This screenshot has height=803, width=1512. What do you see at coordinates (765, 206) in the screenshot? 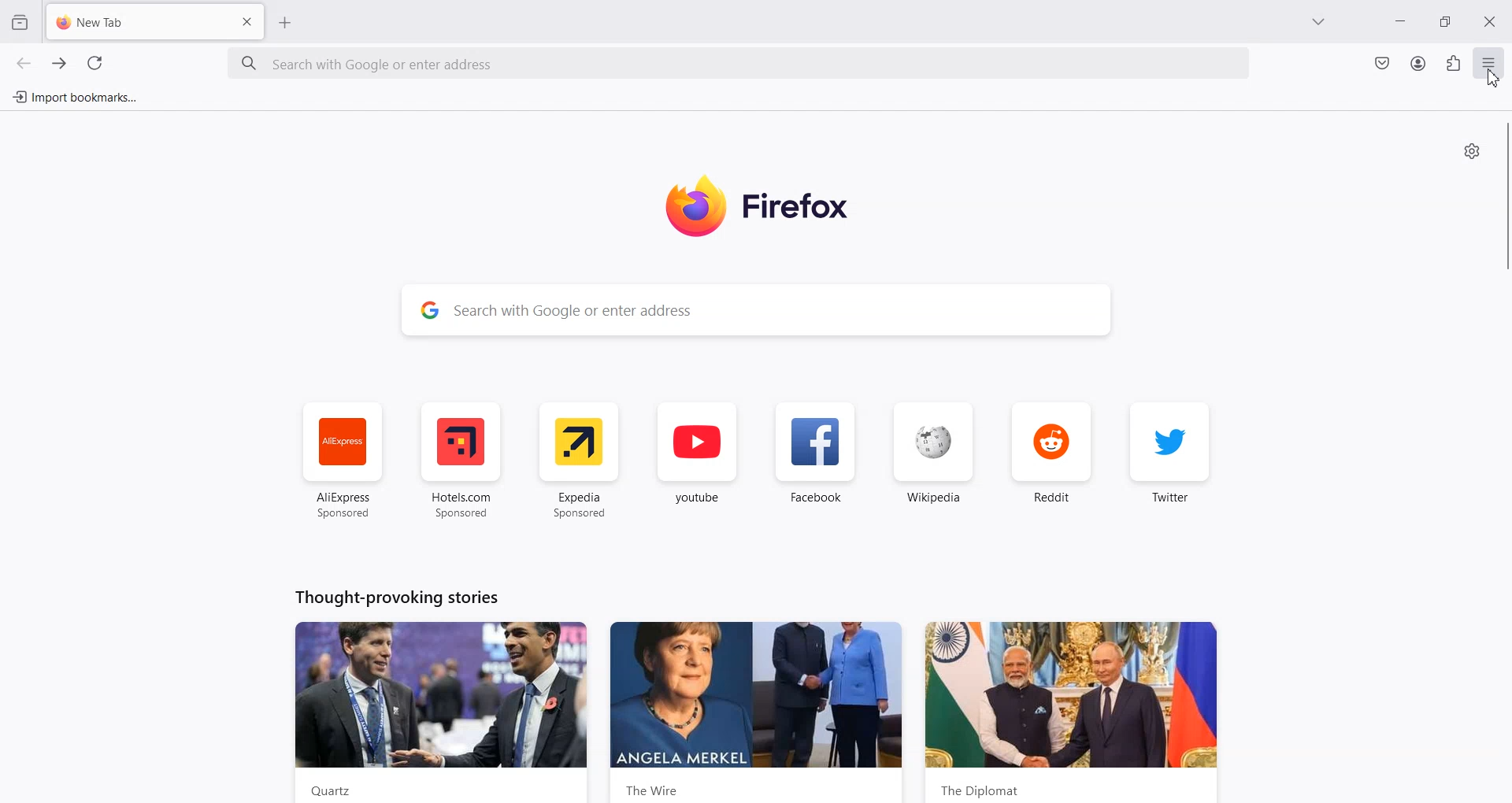
I see `Firefox logo` at bounding box center [765, 206].